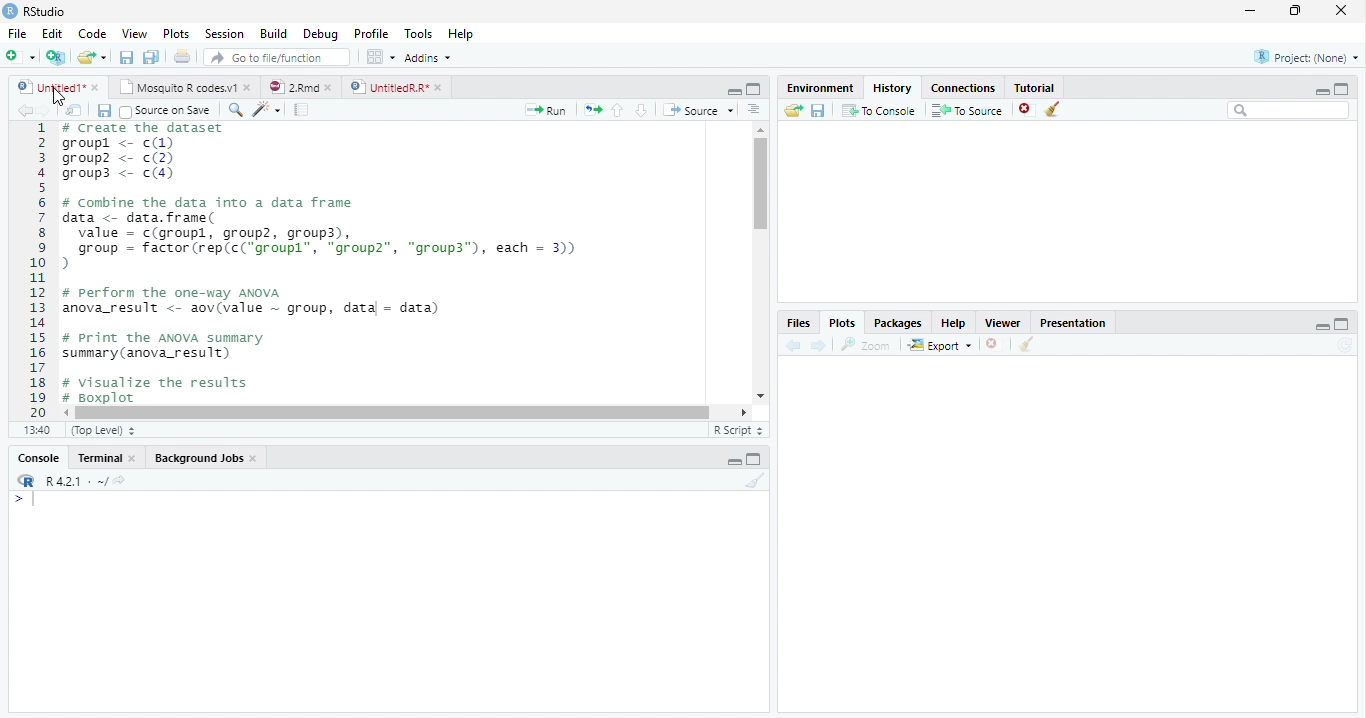 The width and height of the screenshot is (1366, 718). Describe the element at coordinates (15, 31) in the screenshot. I see `File` at that location.